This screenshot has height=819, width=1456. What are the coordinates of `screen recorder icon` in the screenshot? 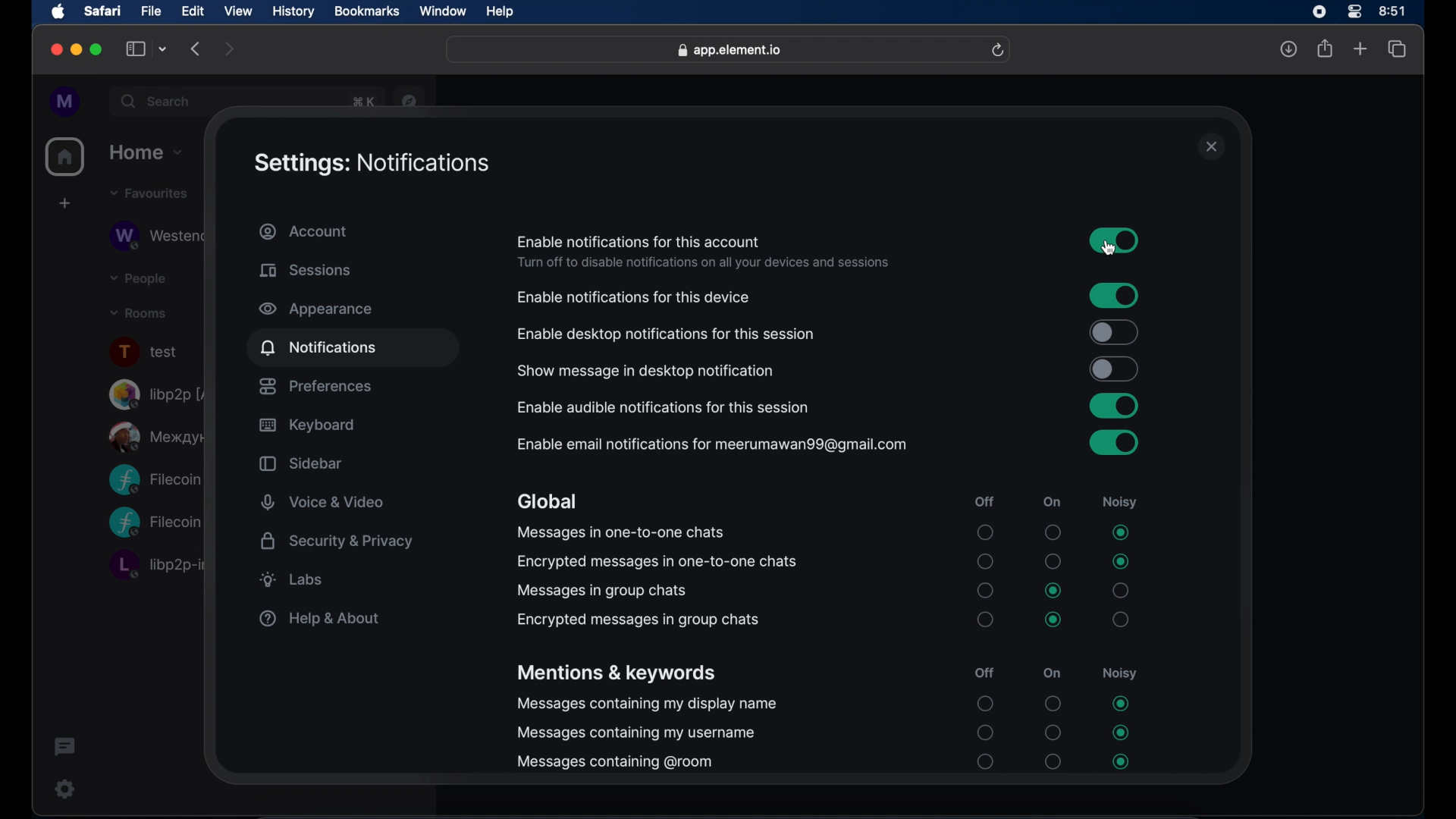 It's located at (1320, 12).